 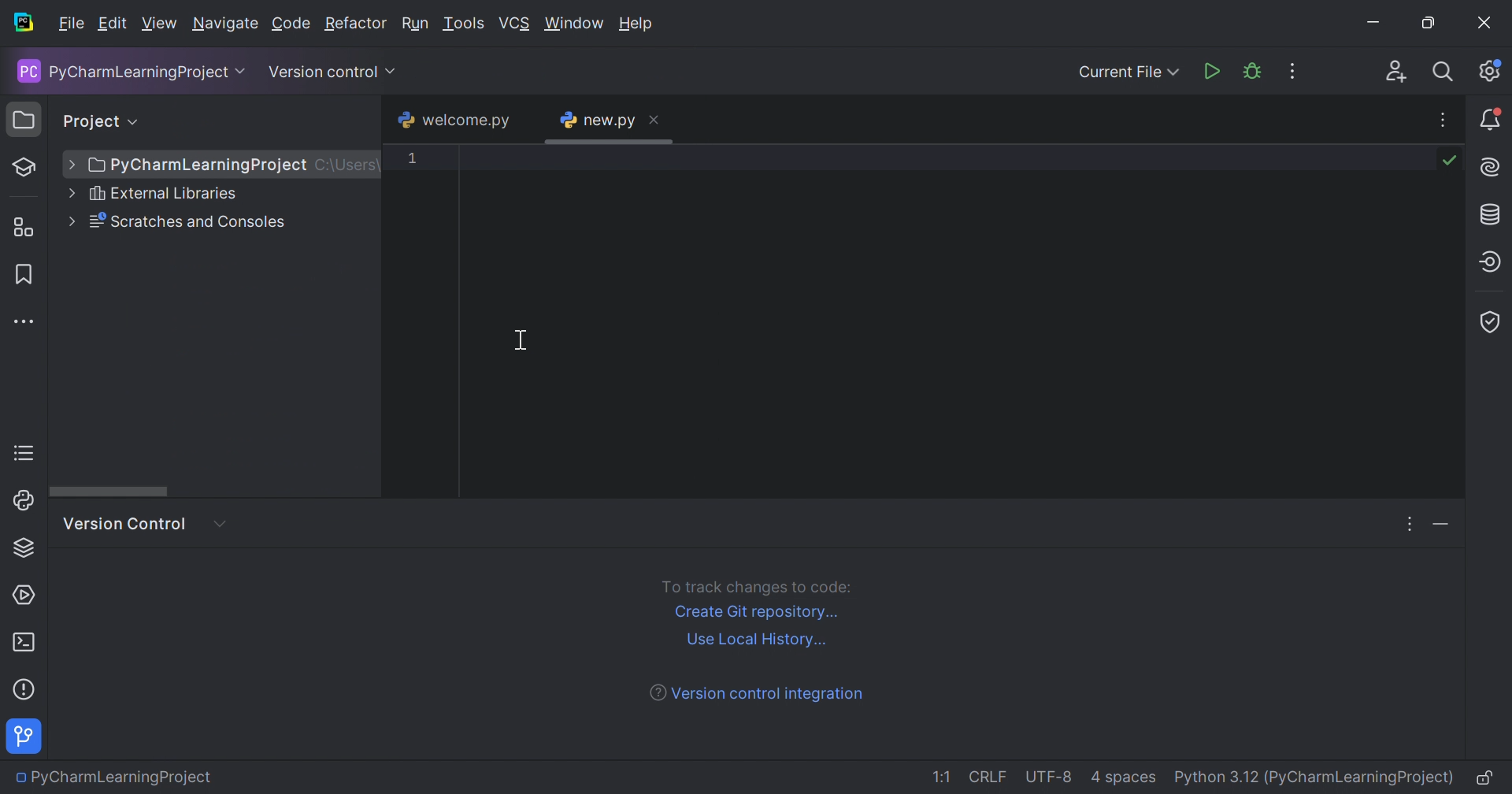 I want to click on More tool windows, so click(x=23, y=321).